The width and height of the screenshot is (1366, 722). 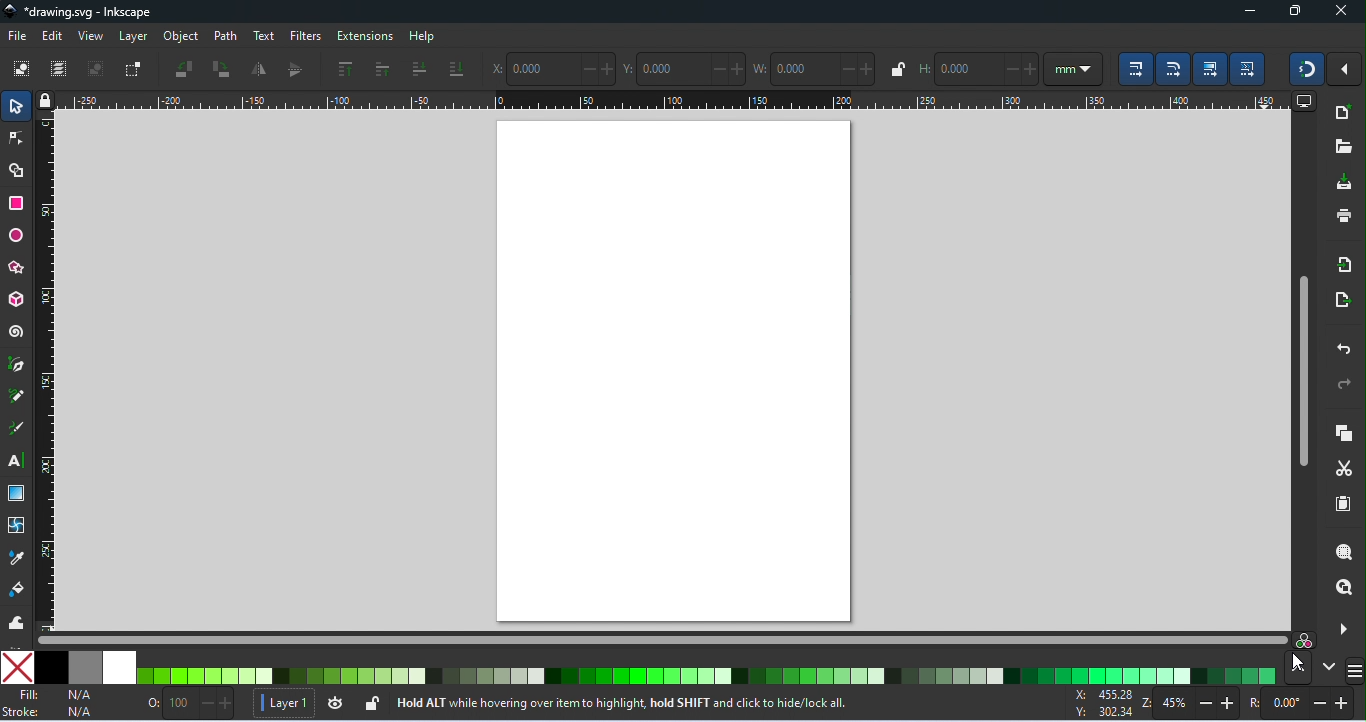 I want to click on zoom and more, so click(x=1341, y=627).